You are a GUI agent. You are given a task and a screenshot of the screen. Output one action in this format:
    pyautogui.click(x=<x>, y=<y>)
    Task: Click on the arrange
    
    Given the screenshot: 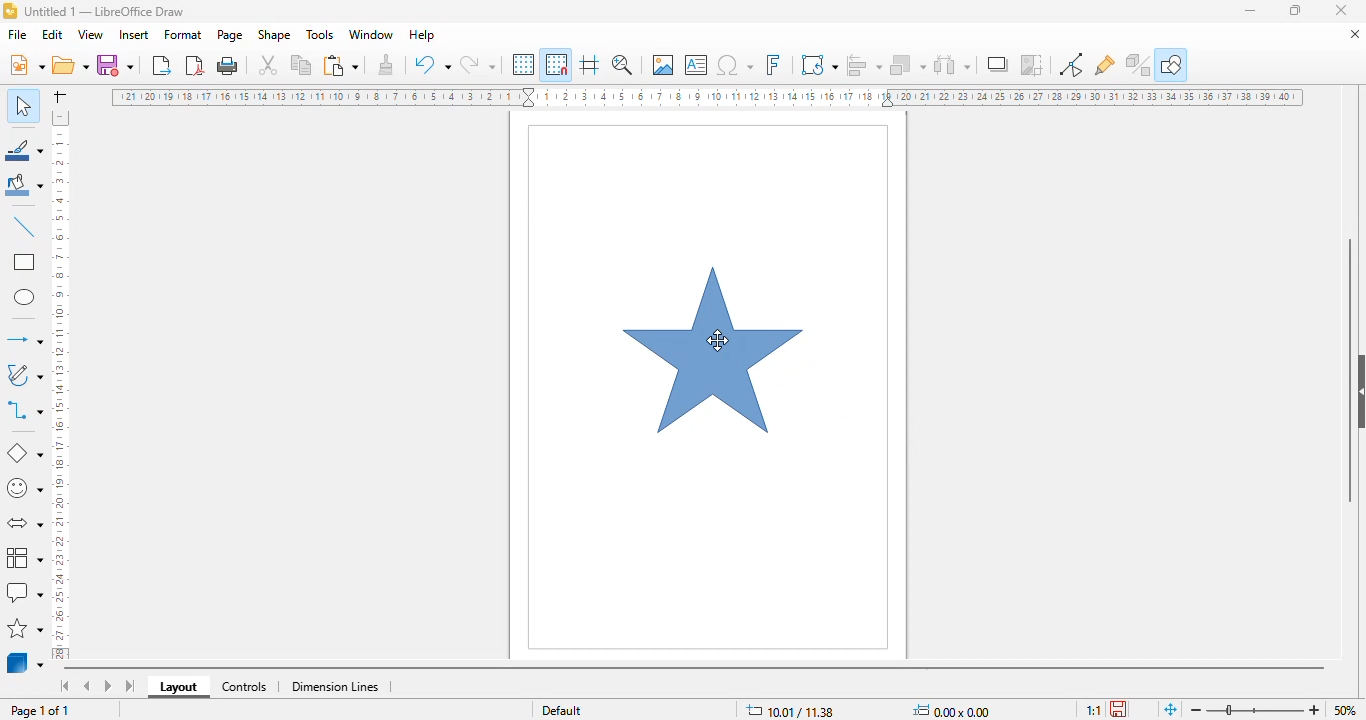 What is the action you would take?
    pyautogui.click(x=908, y=65)
    